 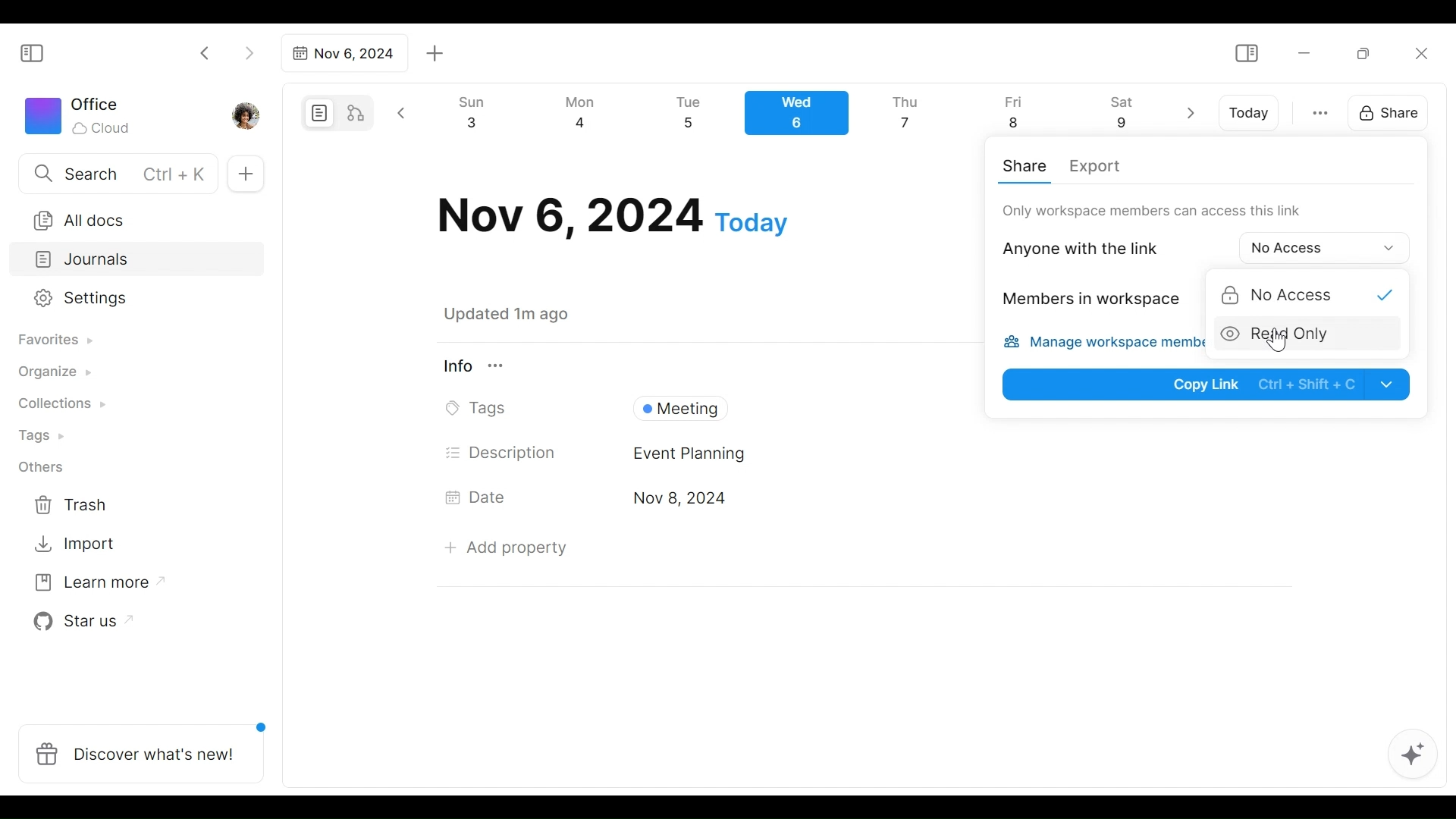 I want to click on Share, so click(x=1028, y=165).